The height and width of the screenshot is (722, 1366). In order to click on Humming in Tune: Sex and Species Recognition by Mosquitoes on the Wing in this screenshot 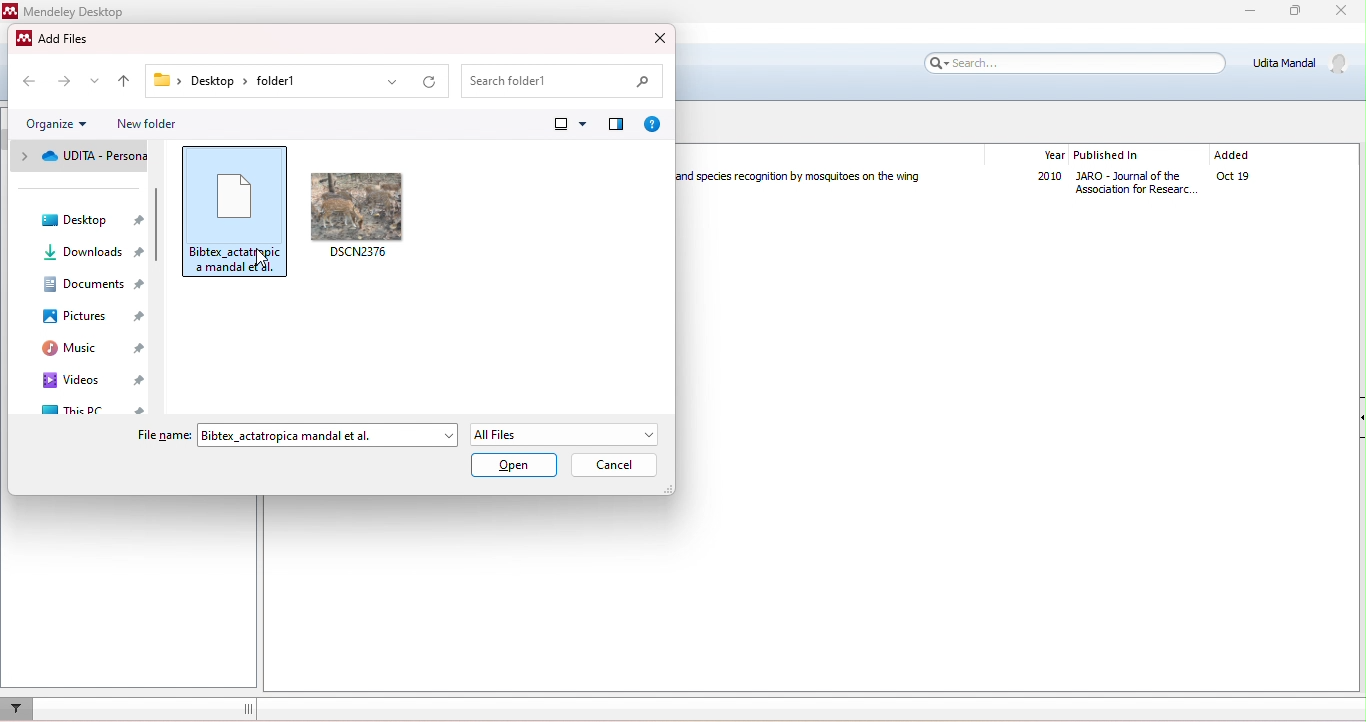, I will do `click(806, 182)`.